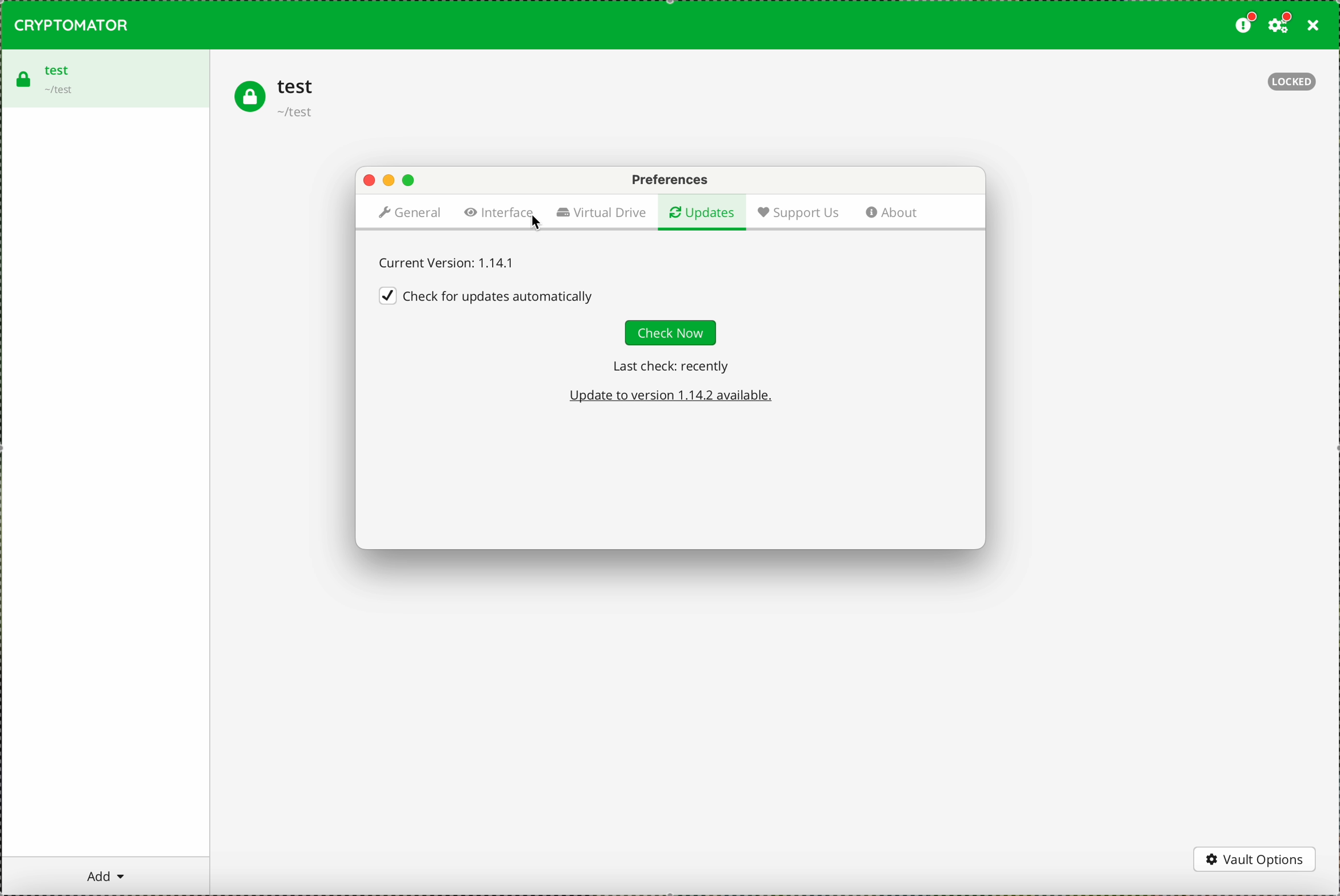  Describe the element at coordinates (671, 334) in the screenshot. I see `check now ` at that location.